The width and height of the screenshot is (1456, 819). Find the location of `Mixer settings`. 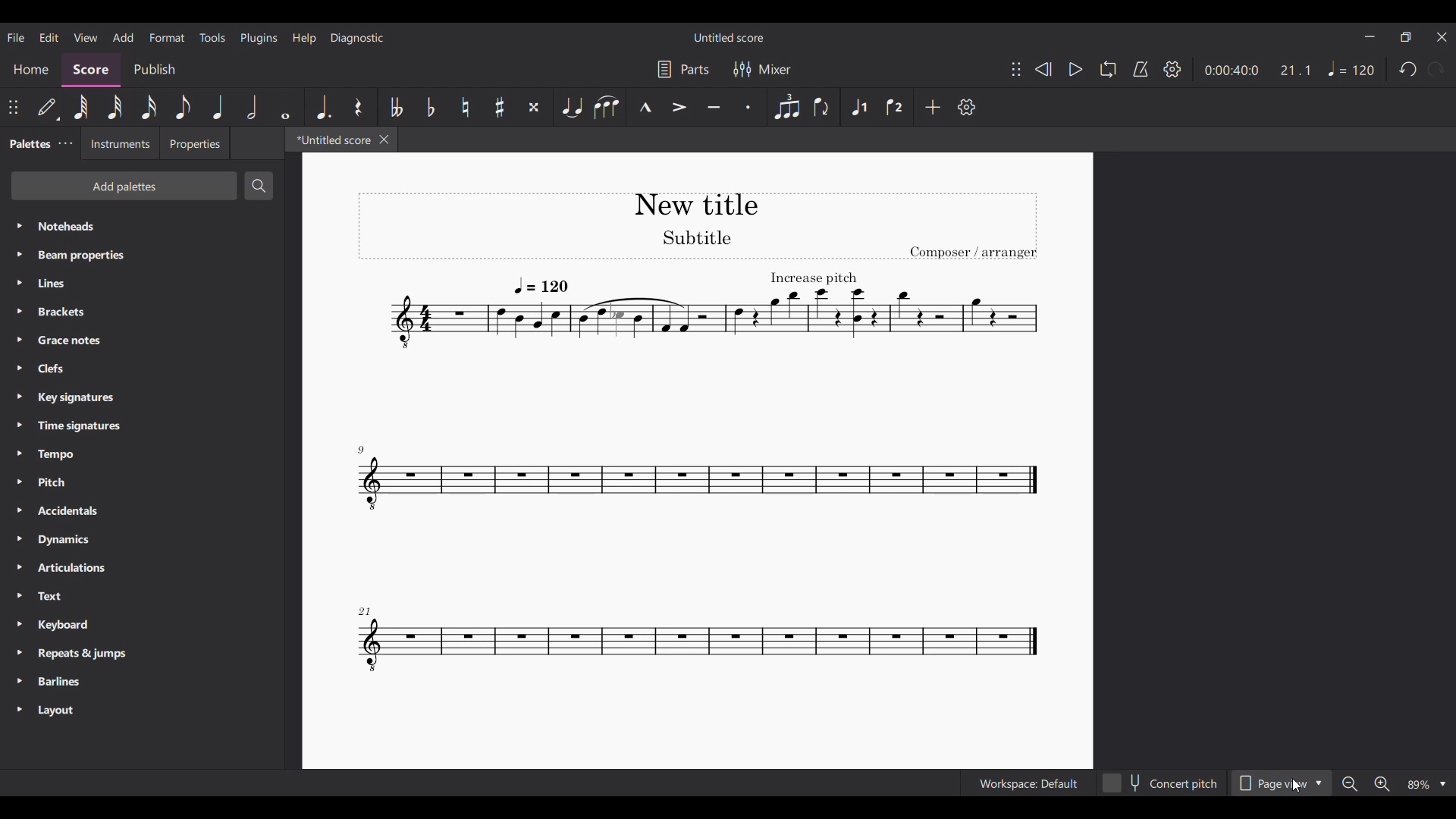

Mixer settings is located at coordinates (762, 69).